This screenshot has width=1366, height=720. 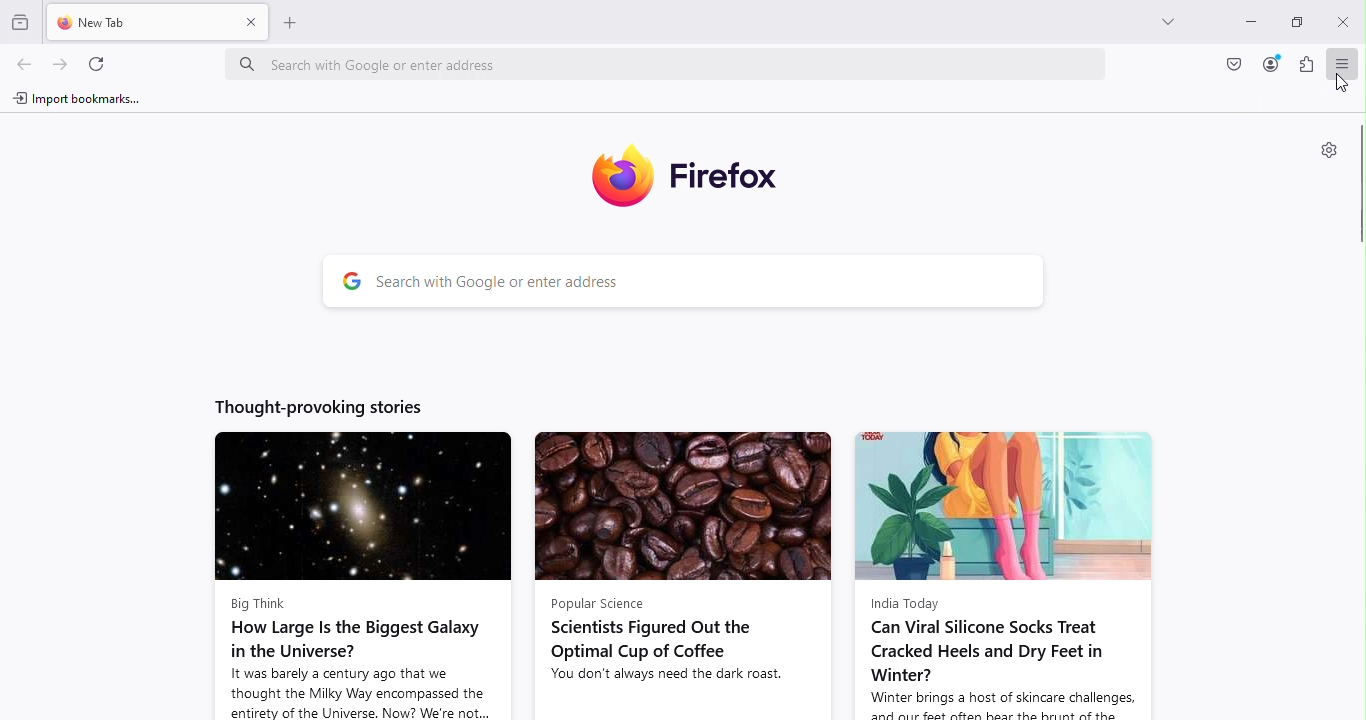 What do you see at coordinates (1228, 63) in the screenshot?
I see `Save to pocket` at bounding box center [1228, 63].